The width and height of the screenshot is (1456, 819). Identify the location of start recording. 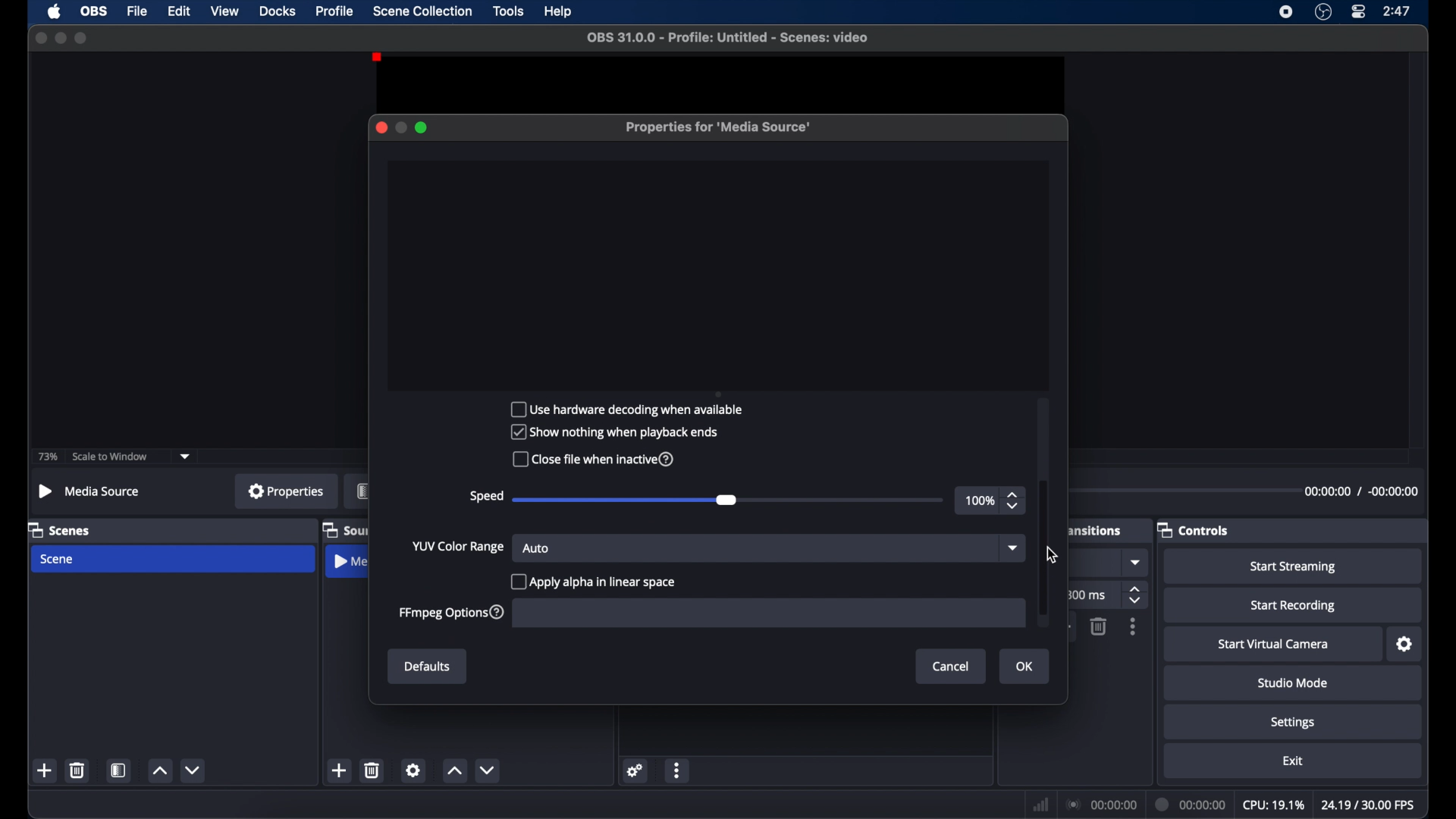
(1293, 606).